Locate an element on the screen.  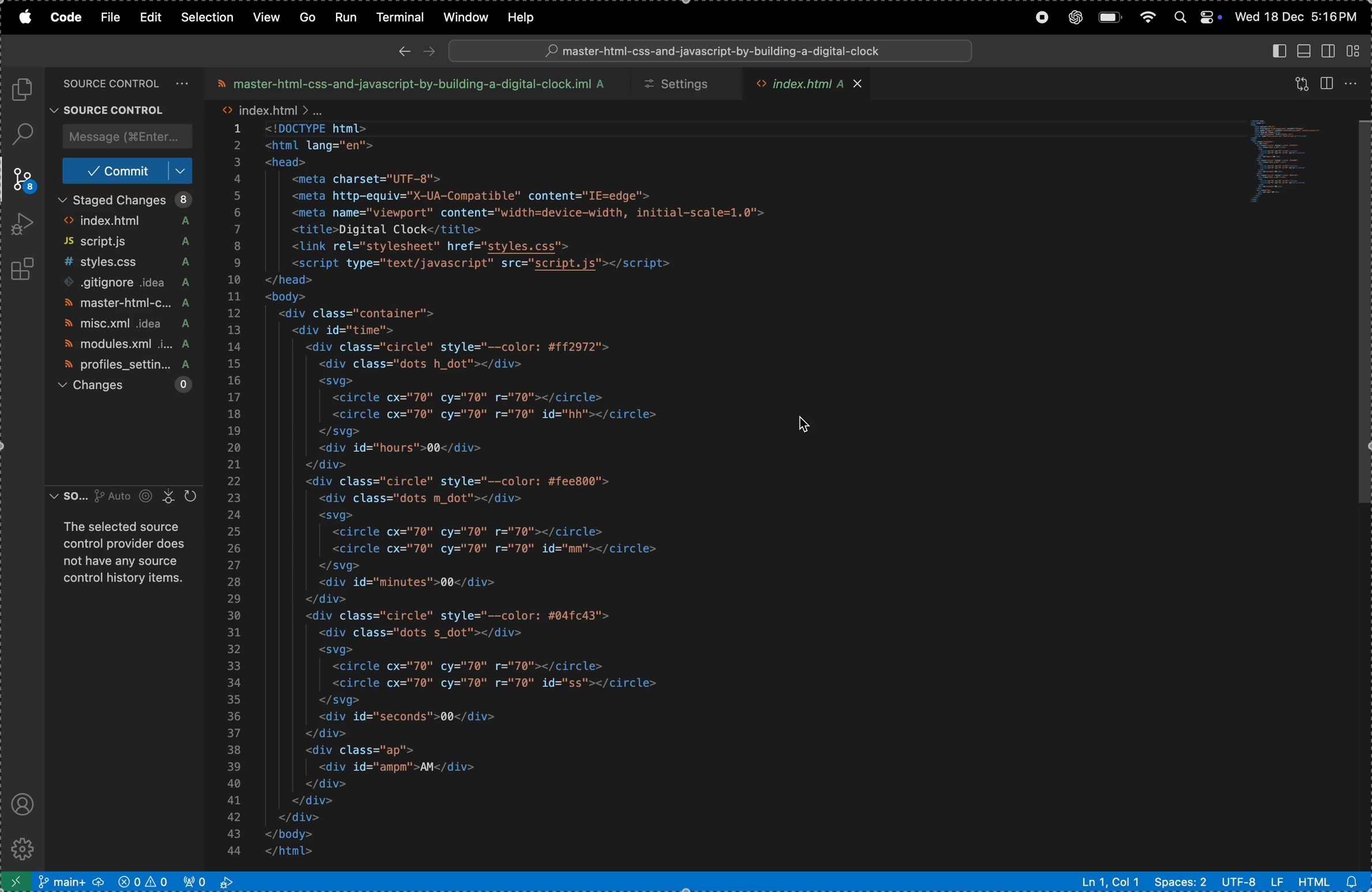
Wed 18 Dec 5:16 PM is located at coordinates (1295, 16).